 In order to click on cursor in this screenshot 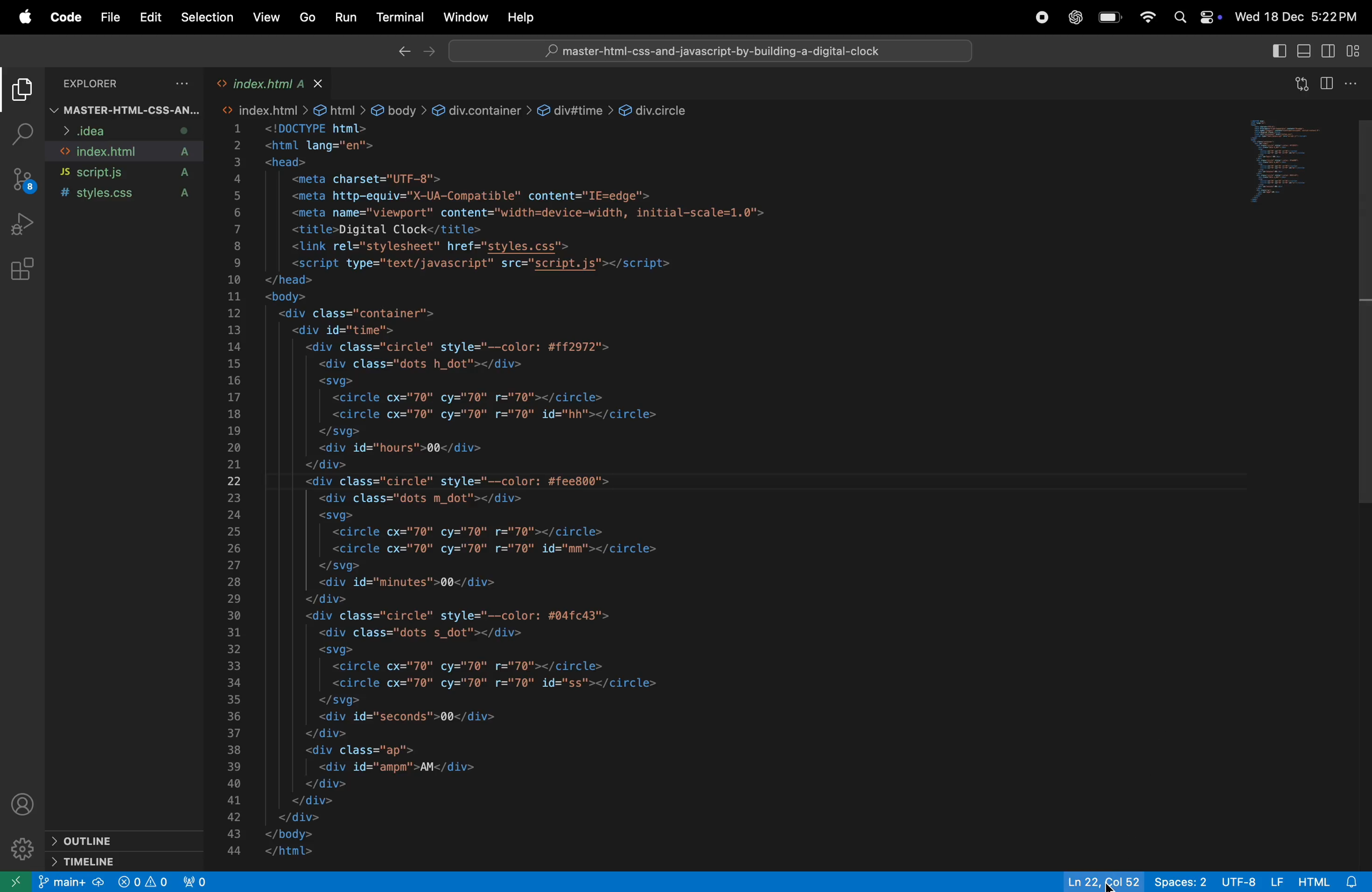, I will do `click(1108, 884)`.